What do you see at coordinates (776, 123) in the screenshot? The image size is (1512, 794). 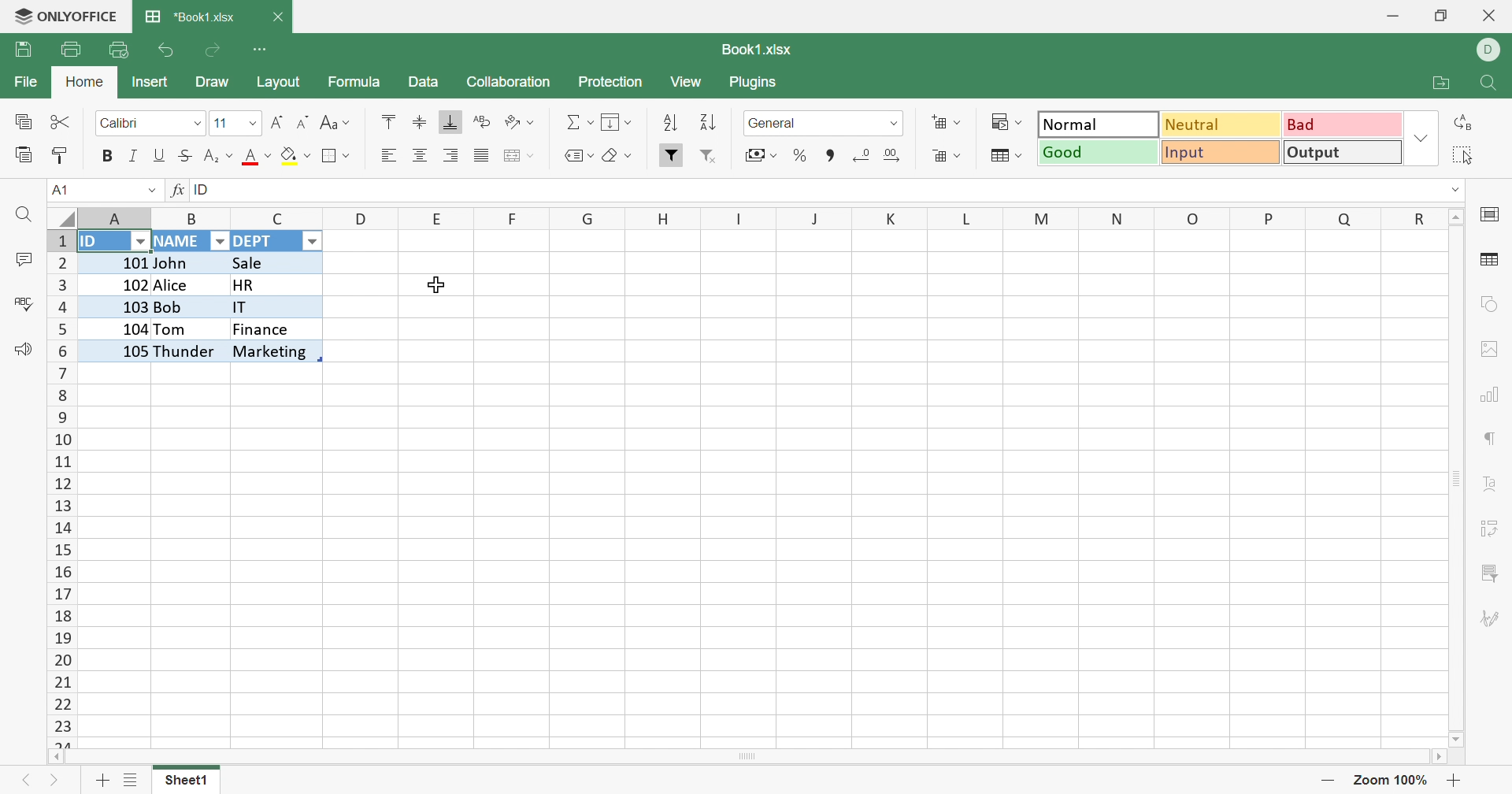 I see `General` at bounding box center [776, 123].